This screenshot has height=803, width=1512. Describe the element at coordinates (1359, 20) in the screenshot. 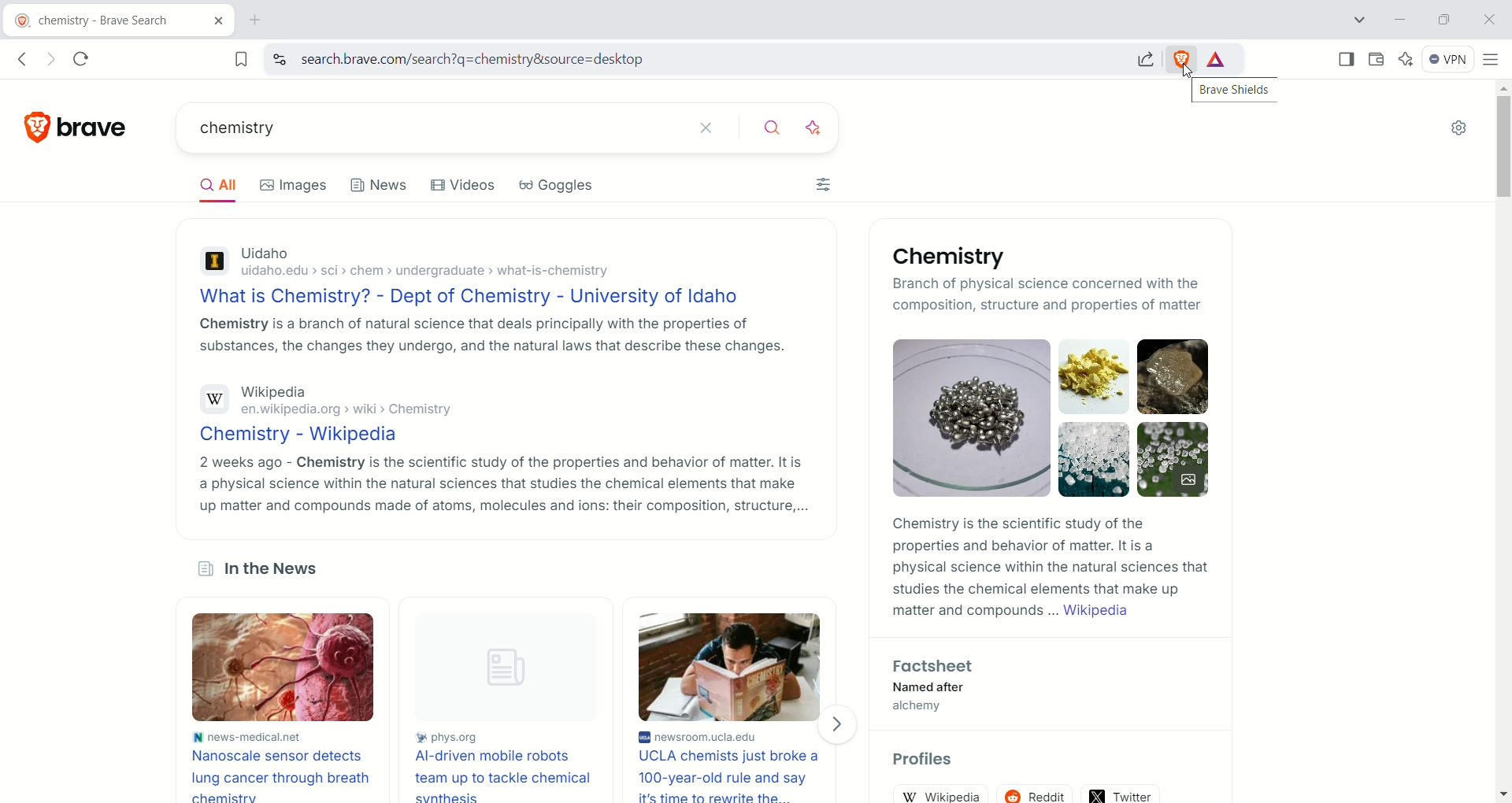

I see `search tabs` at that location.